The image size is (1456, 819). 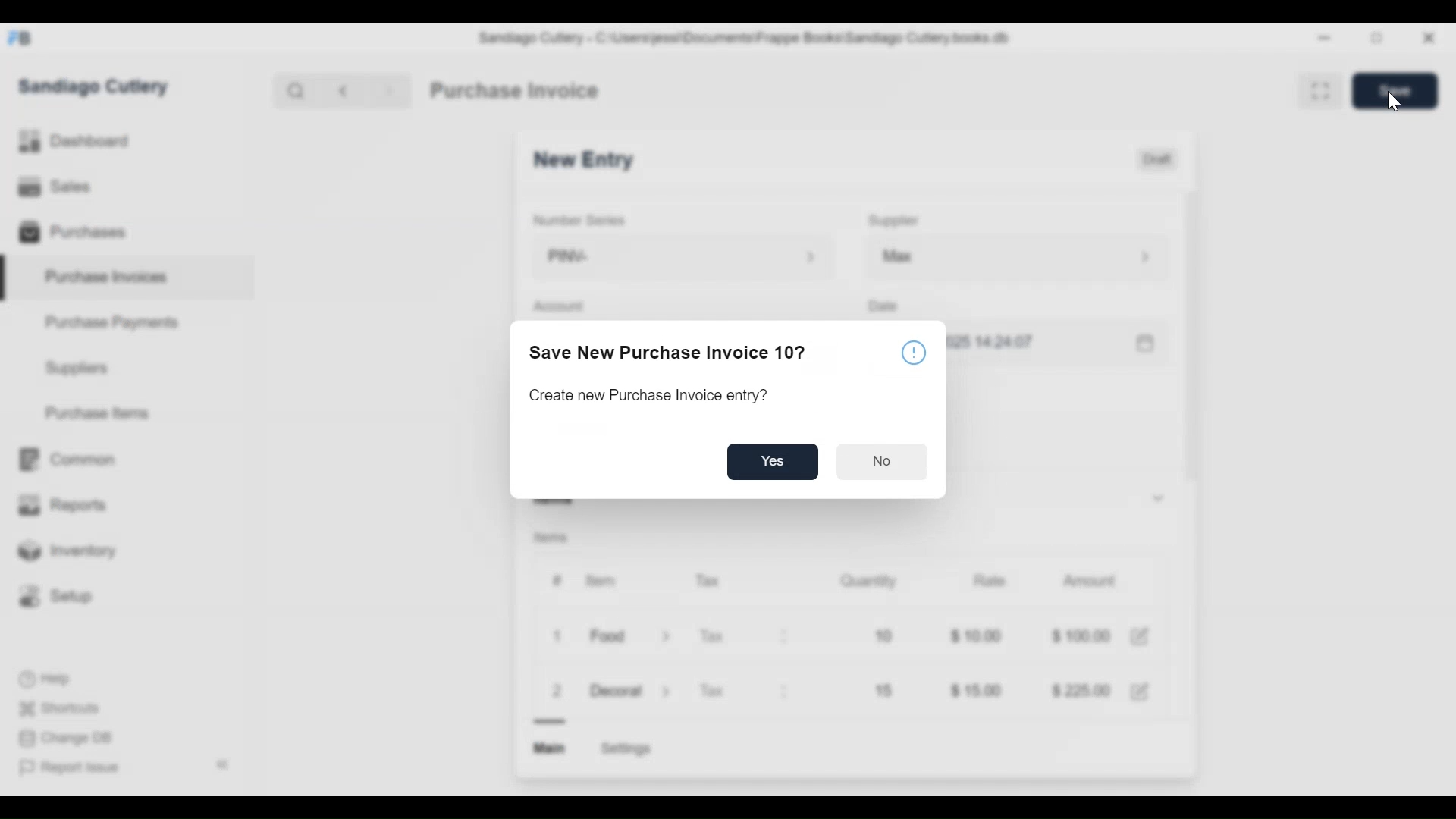 I want to click on Save New Purchase Invoice 10?, so click(x=674, y=354).